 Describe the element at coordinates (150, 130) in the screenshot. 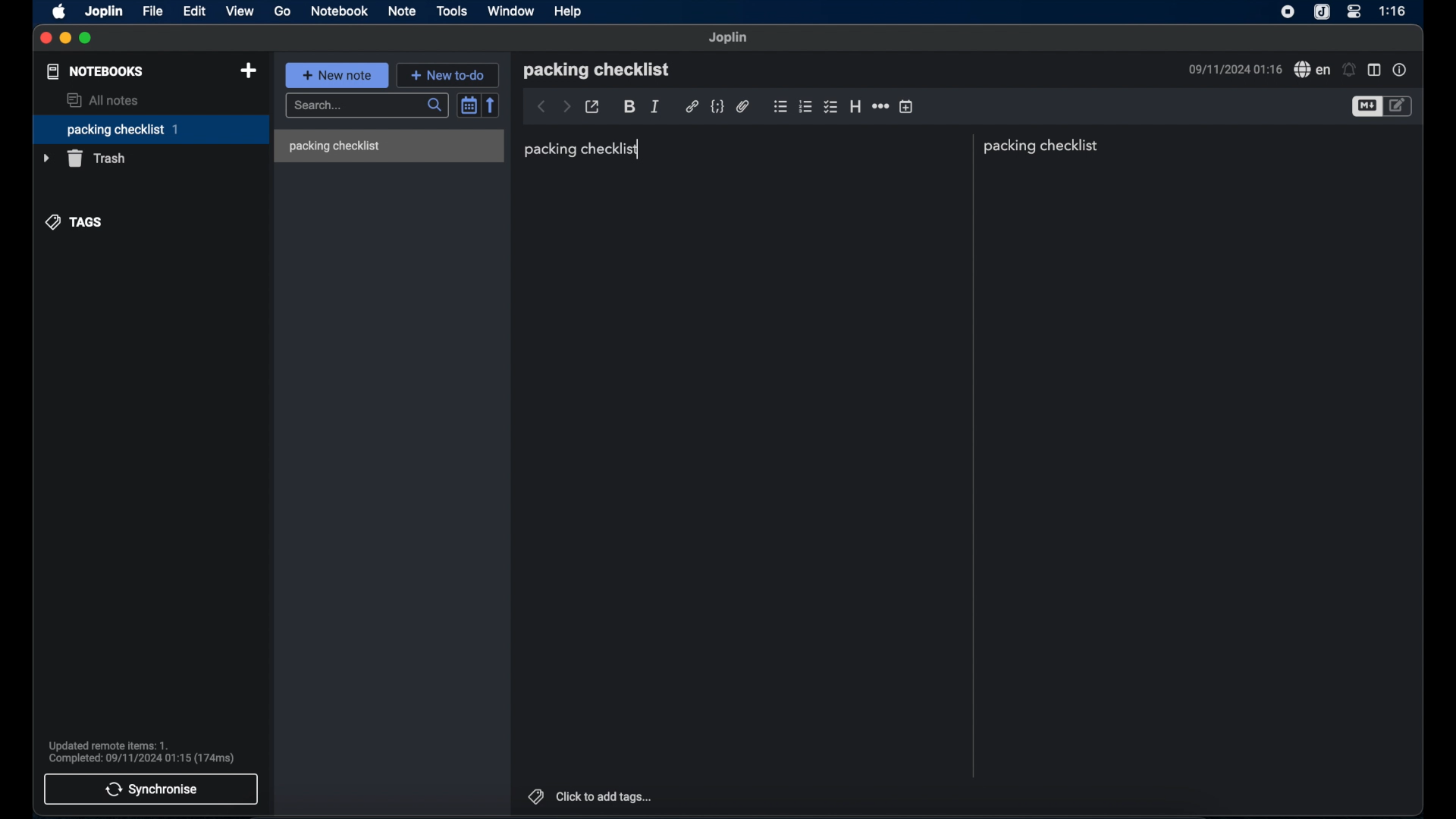

I see `packing checklist` at that location.